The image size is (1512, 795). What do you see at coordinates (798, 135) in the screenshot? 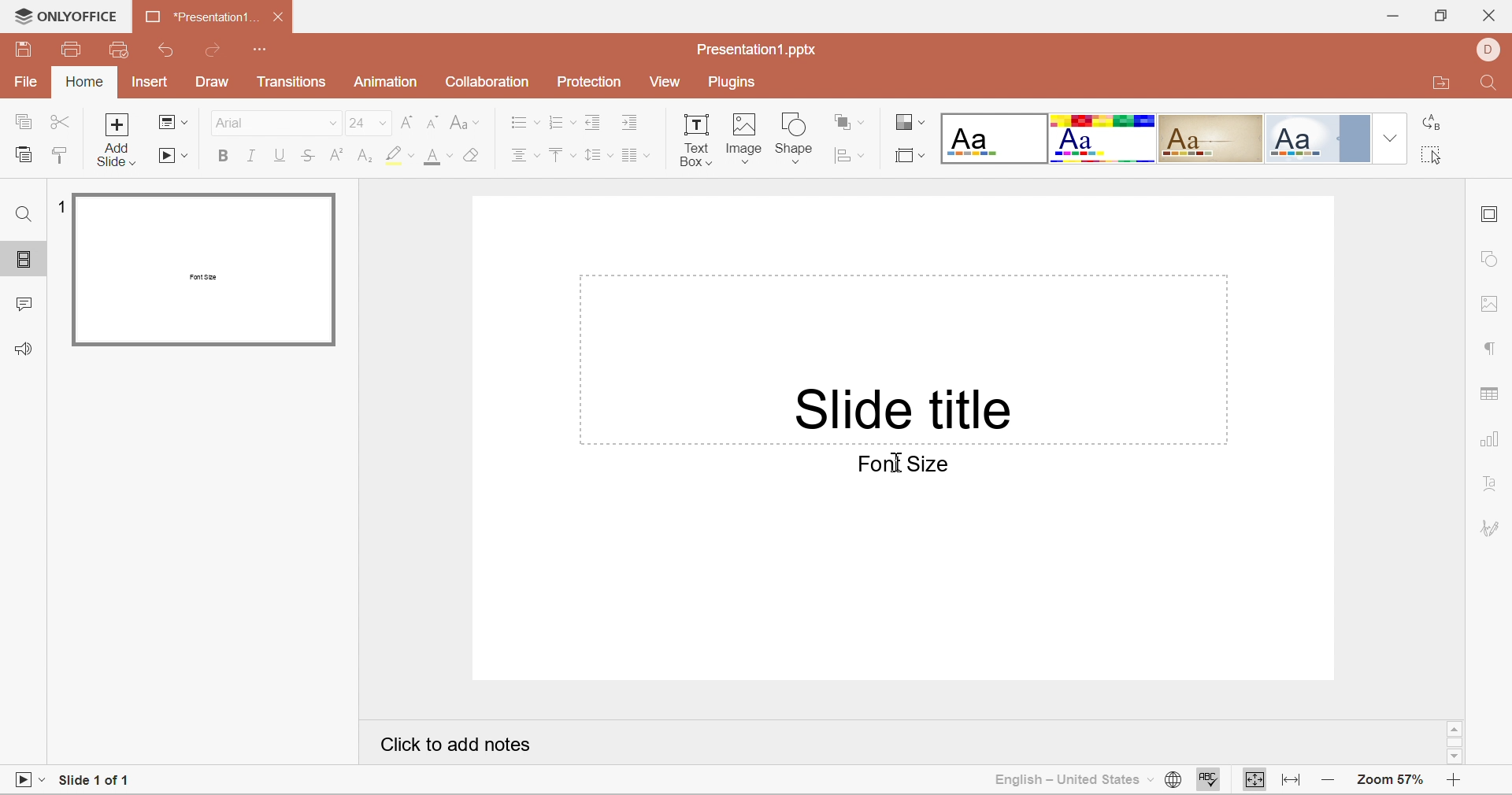
I see `Shape` at bounding box center [798, 135].